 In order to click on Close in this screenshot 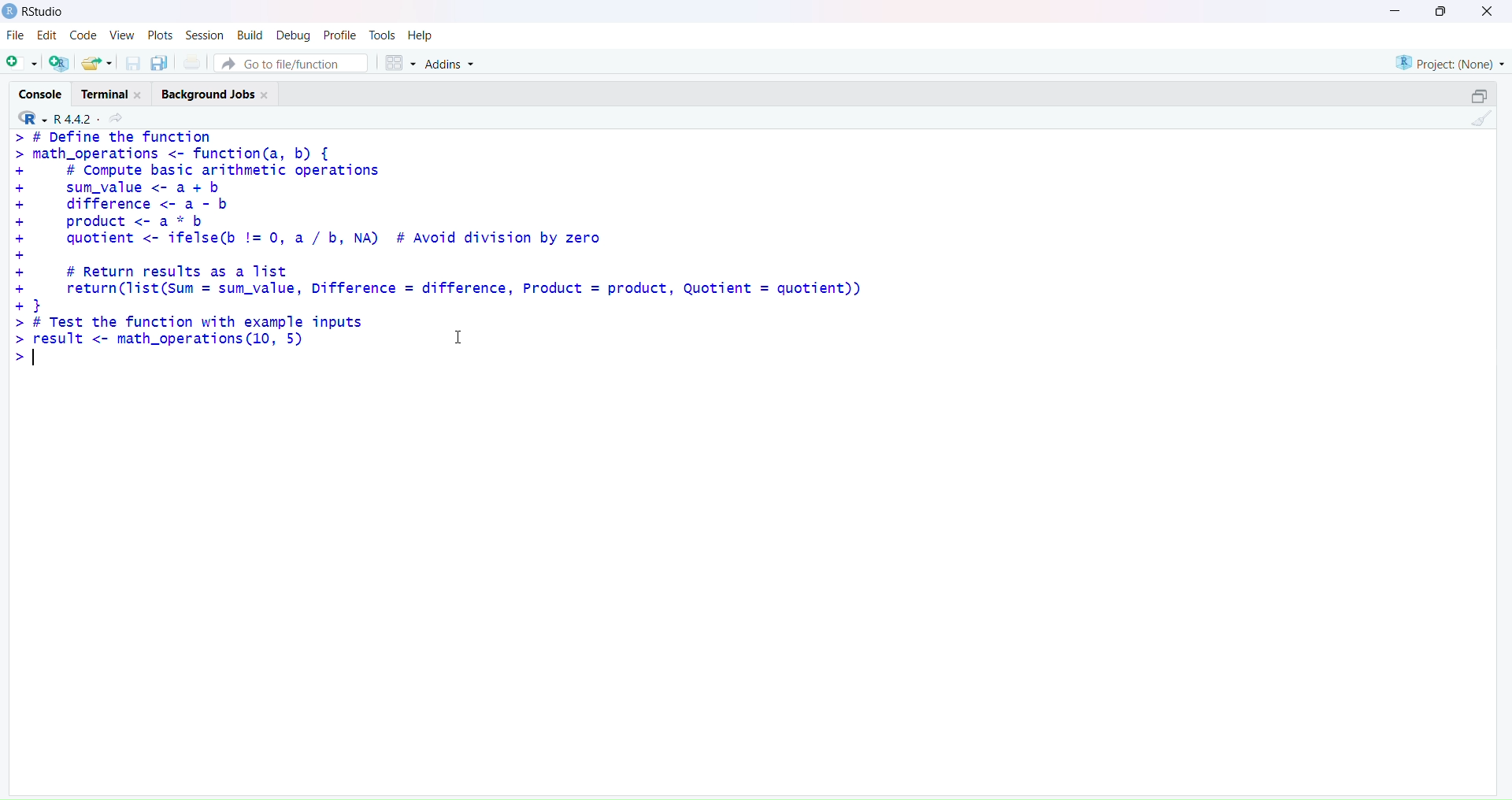, I will do `click(1484, 12)`.